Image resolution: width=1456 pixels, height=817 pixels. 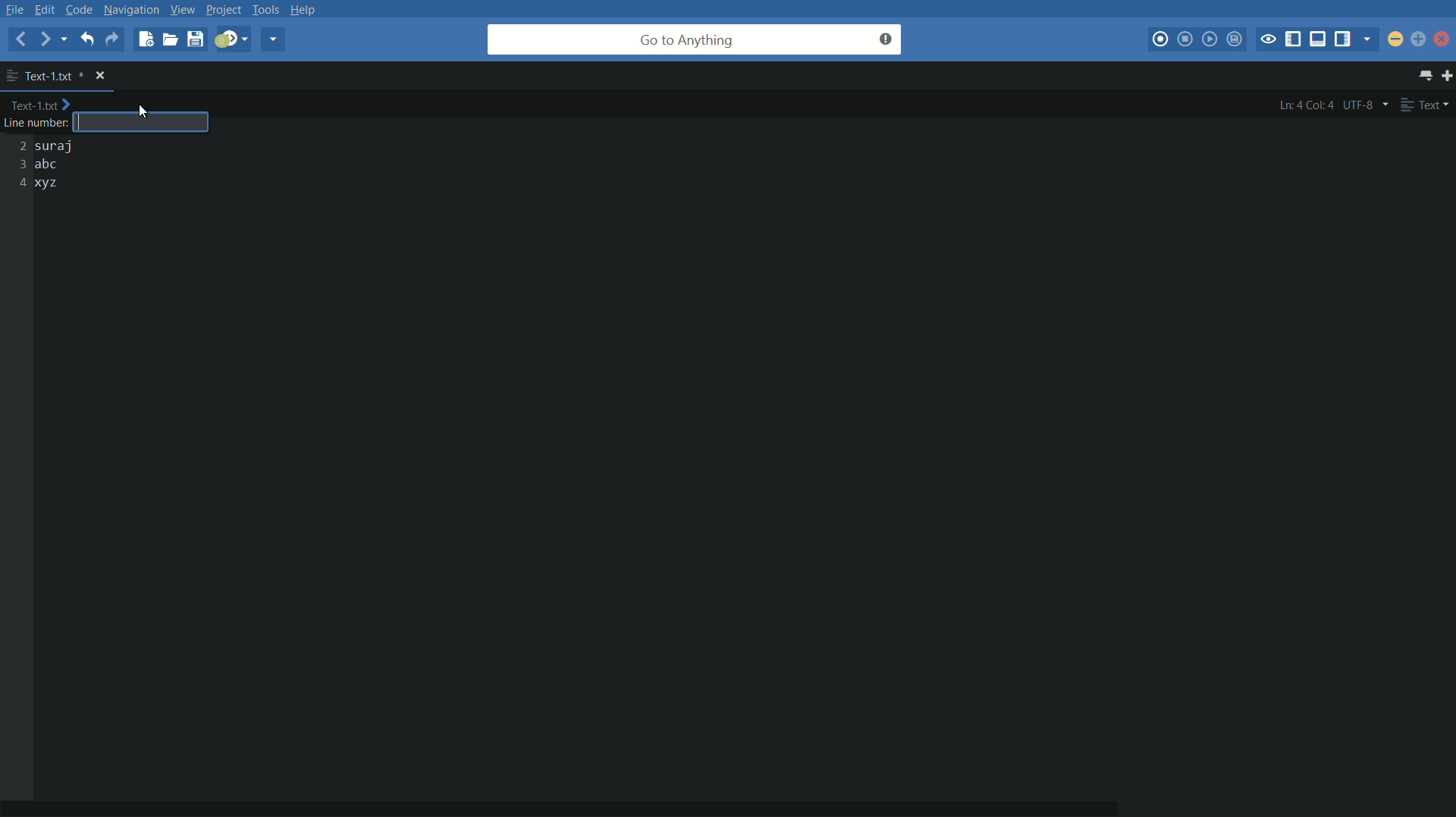 What do you see at coordinates (272, 39) in the screenshot?
I see `share current file` at bounding box center [272, 39].